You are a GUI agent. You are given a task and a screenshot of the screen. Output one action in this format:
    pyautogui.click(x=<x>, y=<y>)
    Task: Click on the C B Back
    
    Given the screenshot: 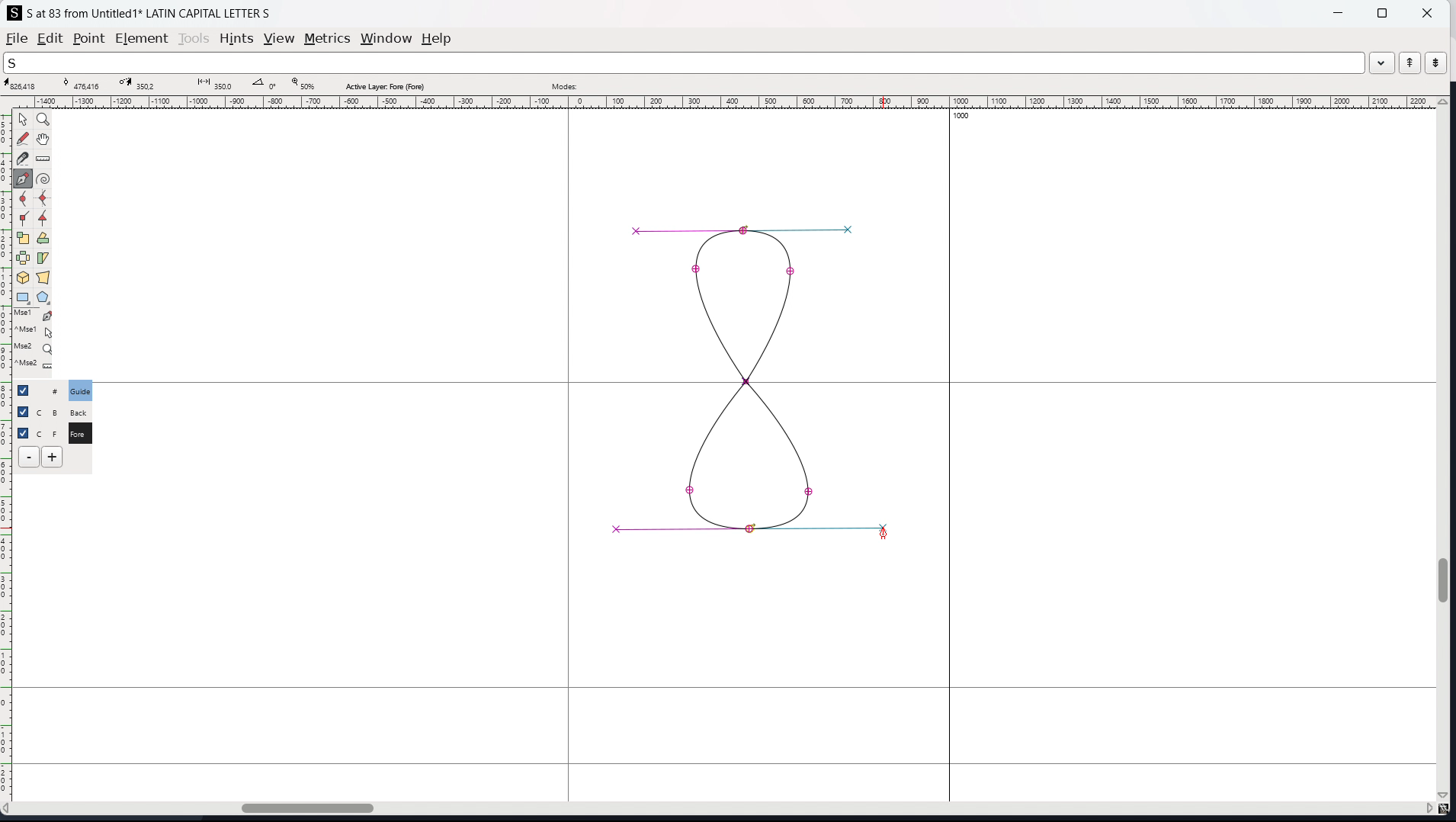 What is the action you would take?
    pyautogui.click(x=78, y=410)
    